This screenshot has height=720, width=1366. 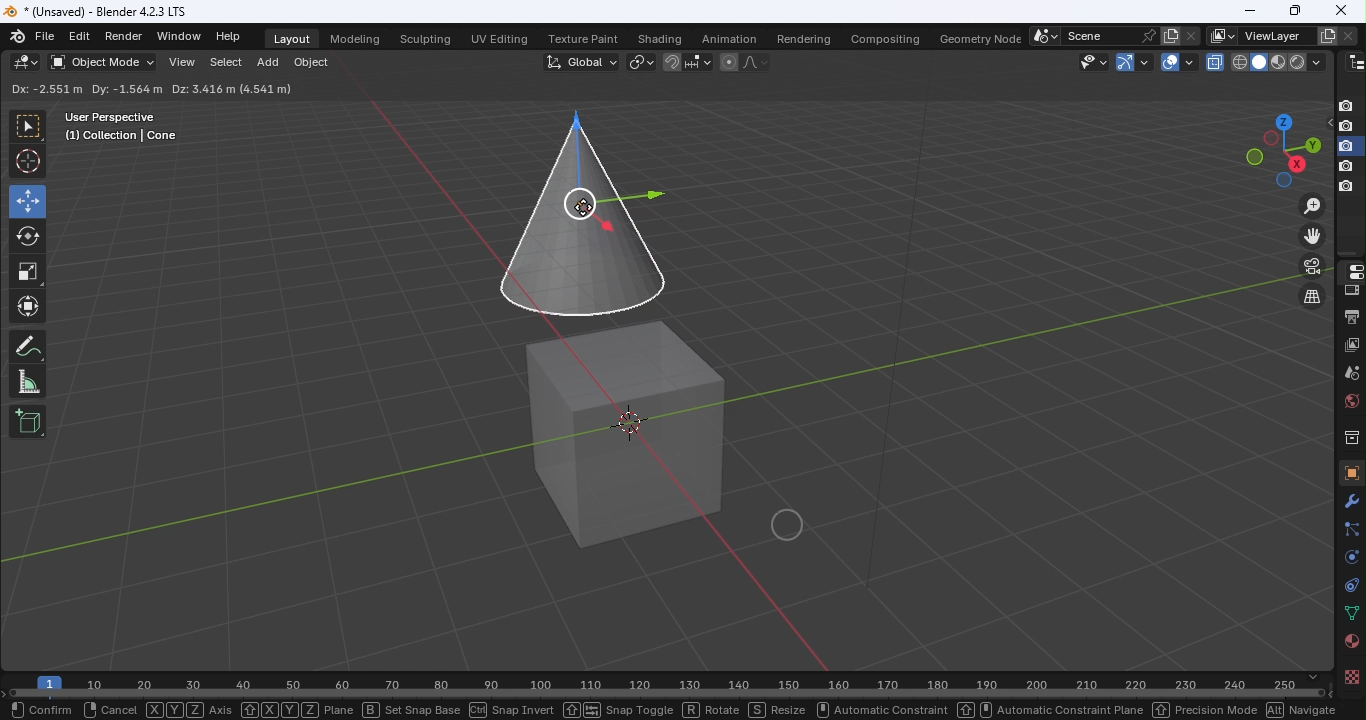 I want to click on Proportional editing falloff, so click(x=757, y=64).